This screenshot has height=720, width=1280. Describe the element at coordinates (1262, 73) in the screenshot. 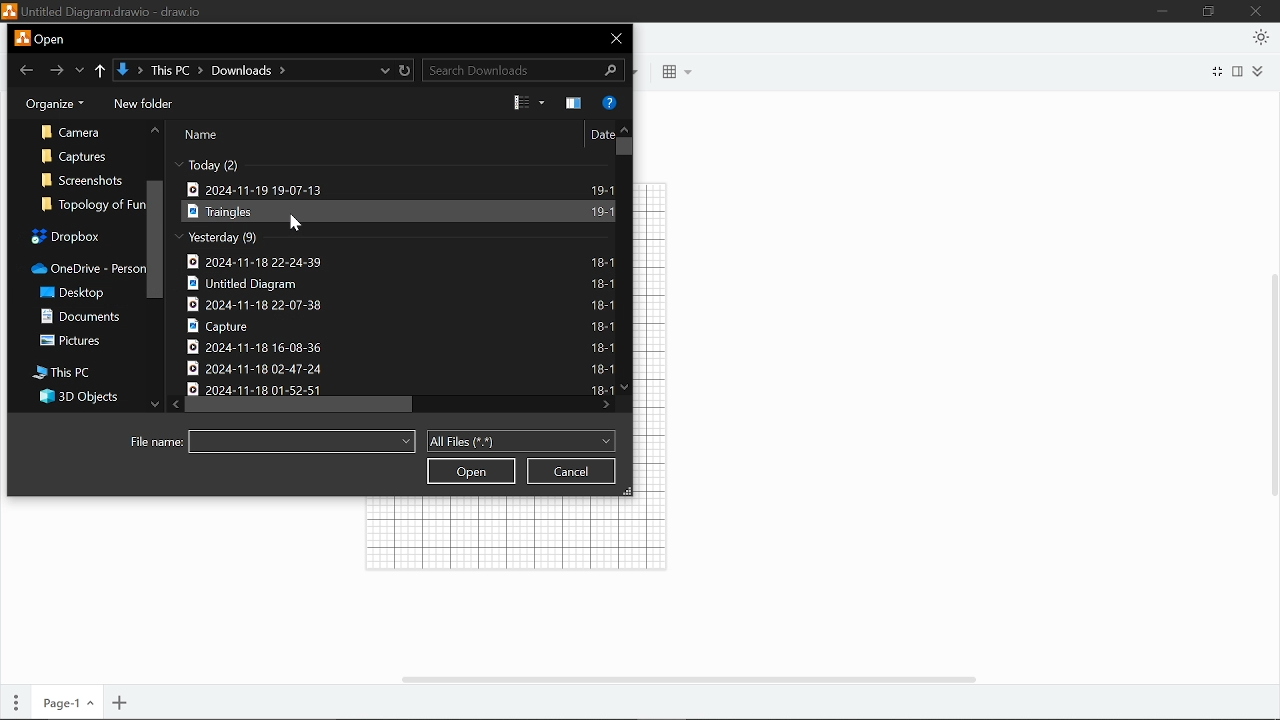

I see `Expand/collapse` at that location.